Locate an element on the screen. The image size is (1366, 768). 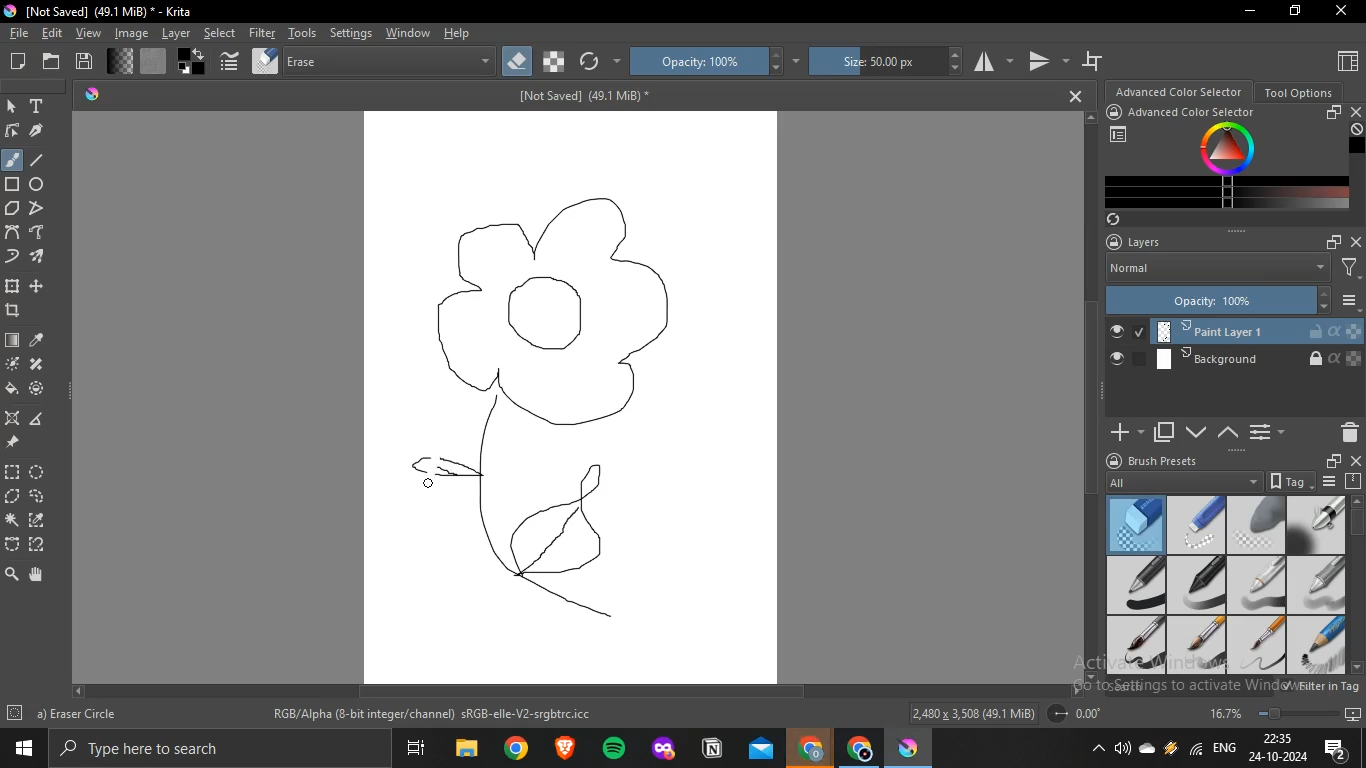
Application is located at coordinates (418, 749).